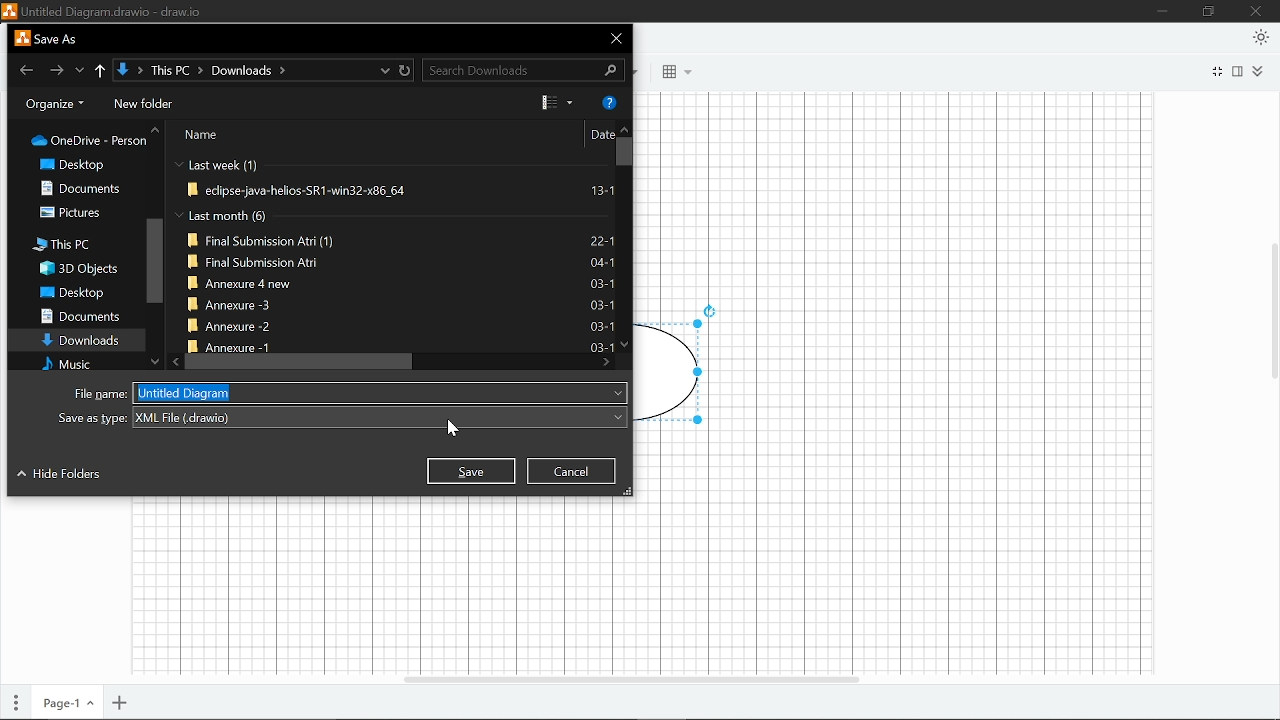 This screenshot has width=1280, height=720. I want to click on Cancel, so click(571, 470).